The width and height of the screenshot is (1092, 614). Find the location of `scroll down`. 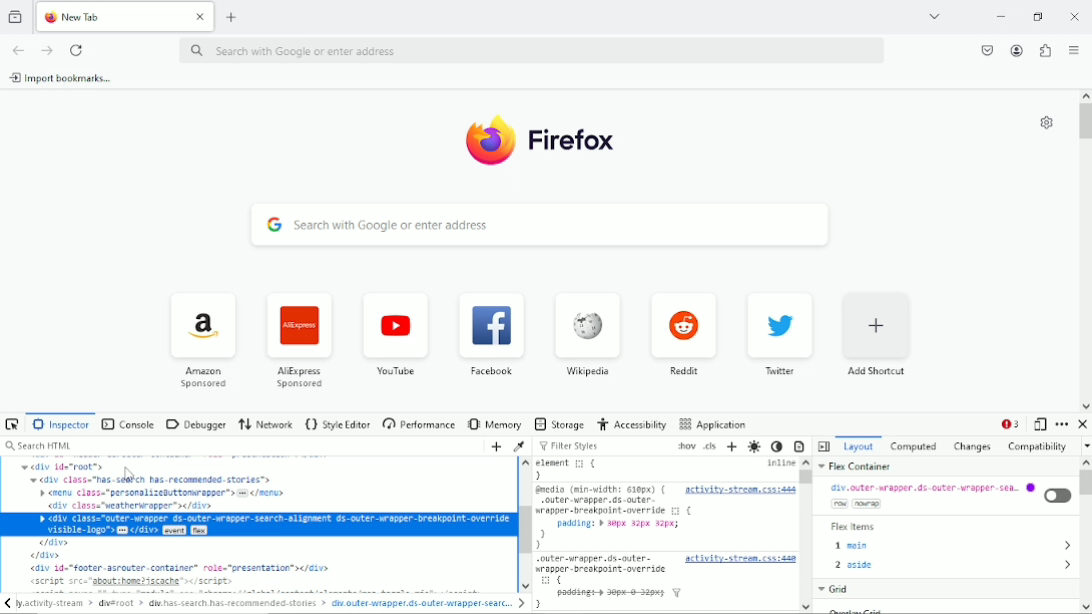

scroll down is located at coordinates (1085, 404).